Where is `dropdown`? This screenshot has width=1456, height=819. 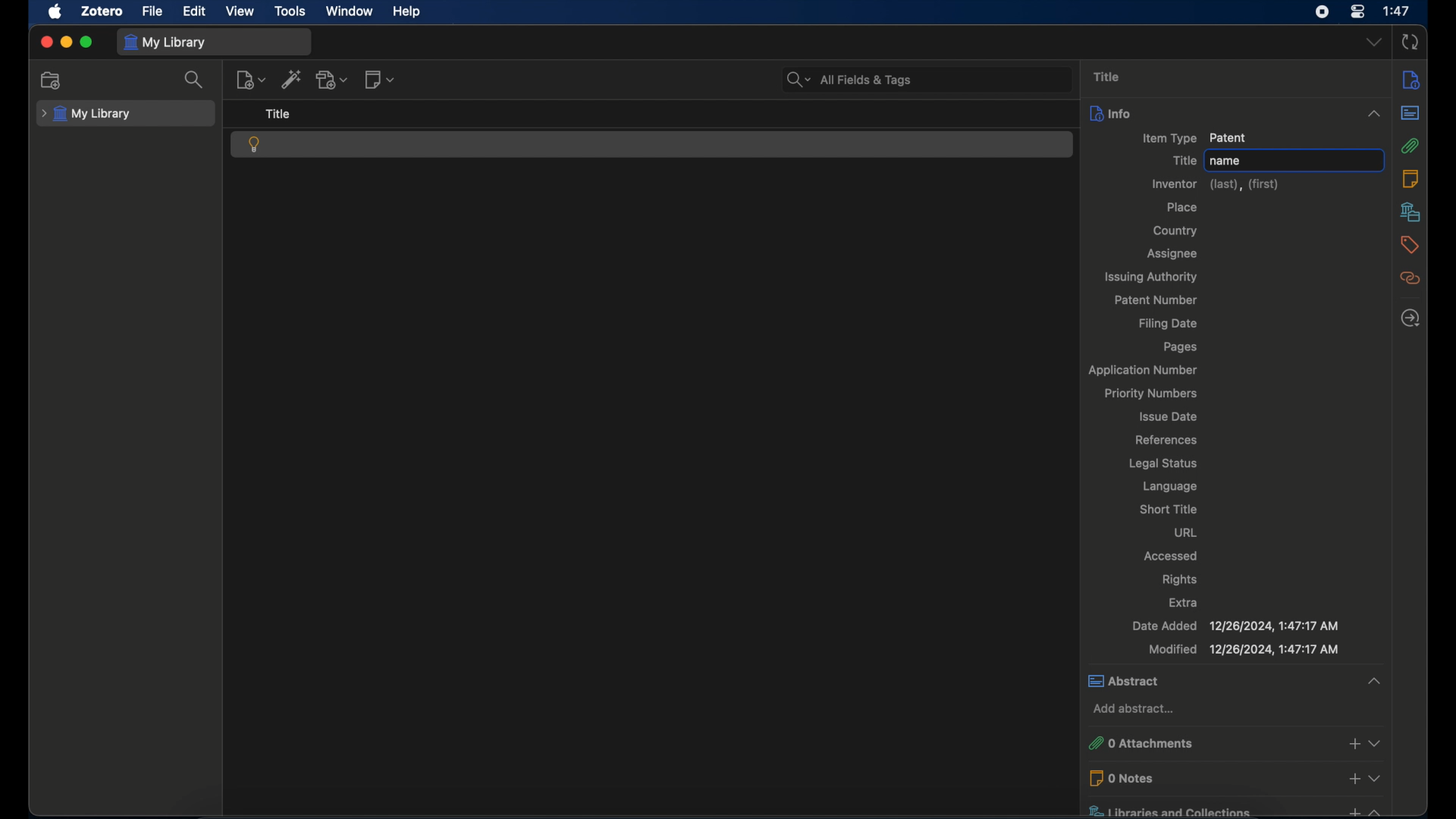 dropdown is located at coordinates (1374, 42).